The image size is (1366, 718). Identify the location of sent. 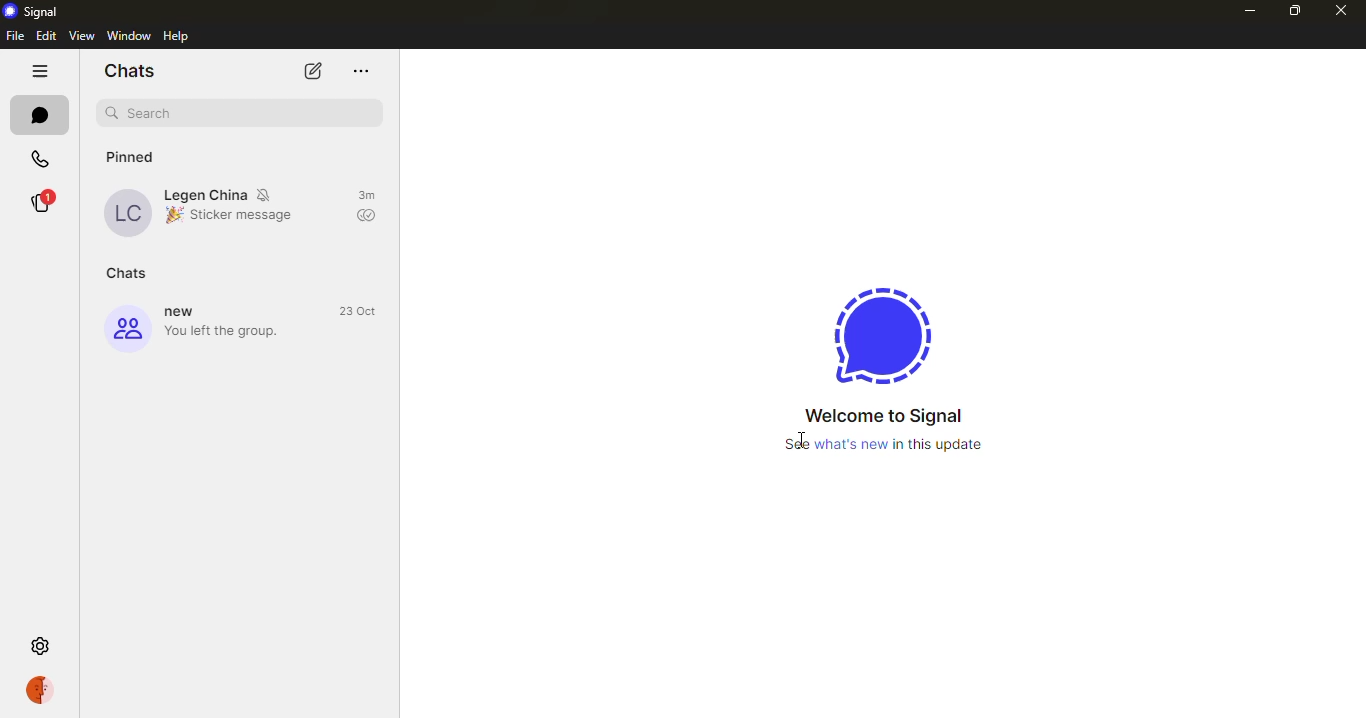
(365, 332).